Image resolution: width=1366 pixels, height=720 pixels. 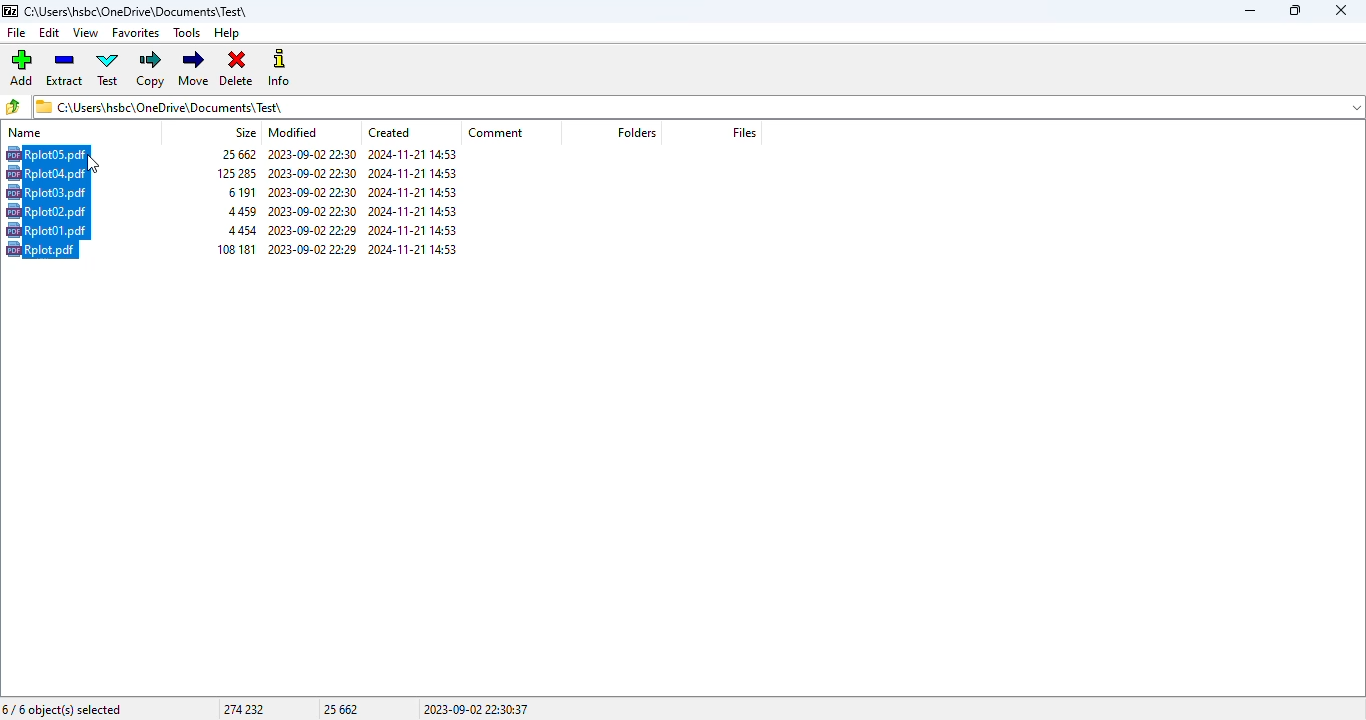 I want to click on created, so click(x=389, y=133).